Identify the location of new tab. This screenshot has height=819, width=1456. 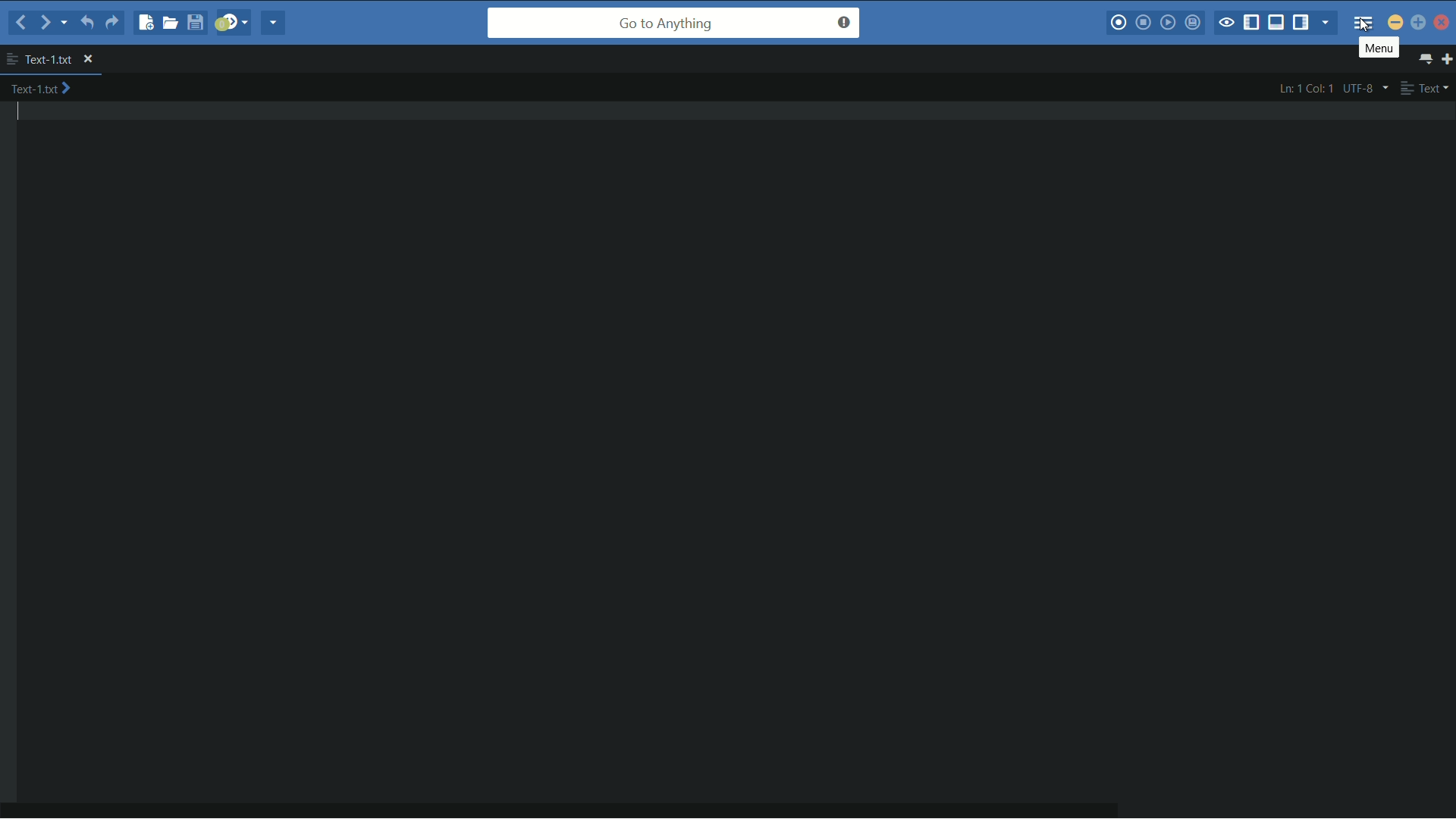
(1447, 58).